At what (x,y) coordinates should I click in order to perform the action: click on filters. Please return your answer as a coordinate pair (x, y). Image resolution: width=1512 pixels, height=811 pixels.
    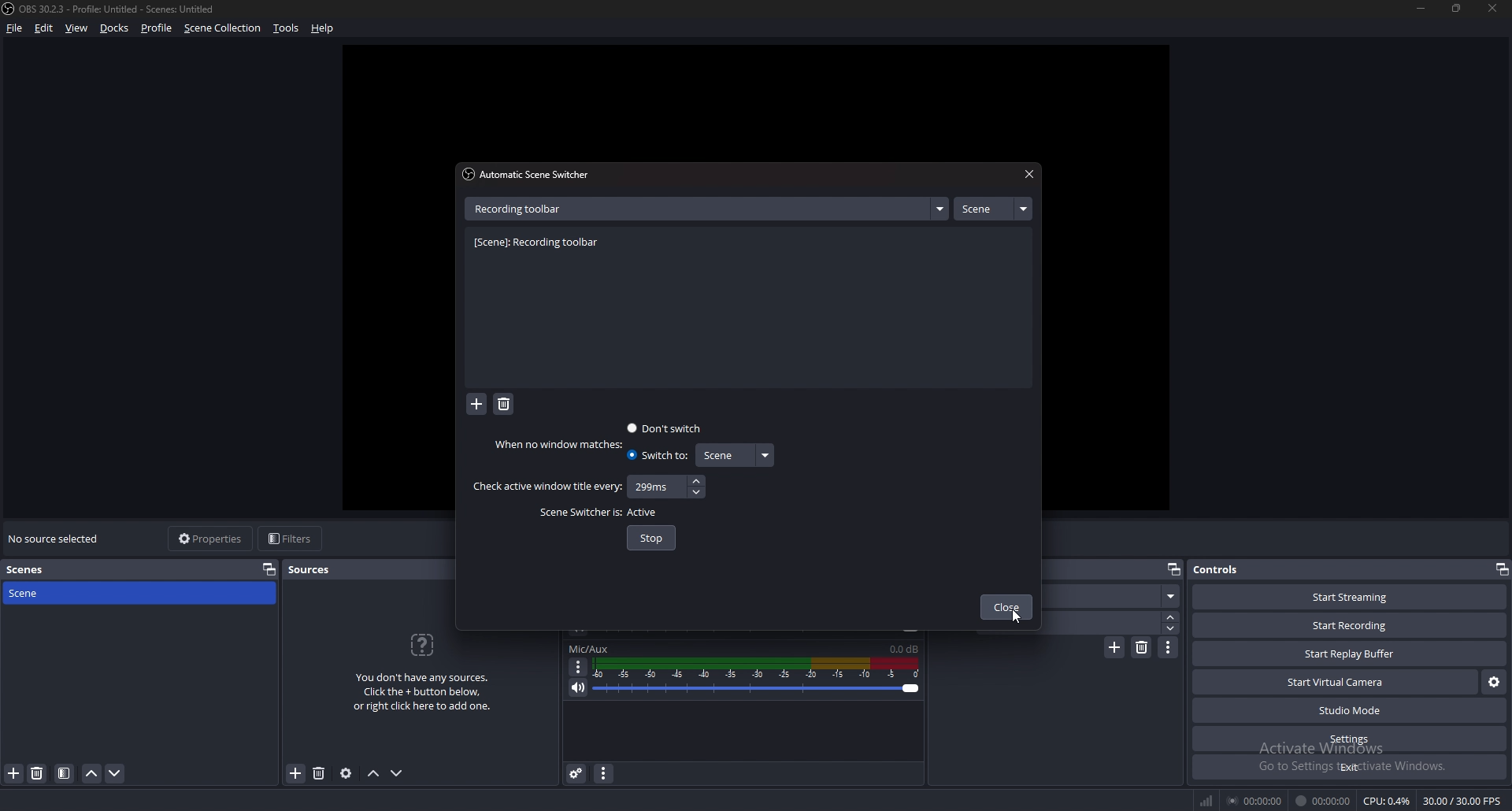
    Looking at the image, I should click on (292, 538).